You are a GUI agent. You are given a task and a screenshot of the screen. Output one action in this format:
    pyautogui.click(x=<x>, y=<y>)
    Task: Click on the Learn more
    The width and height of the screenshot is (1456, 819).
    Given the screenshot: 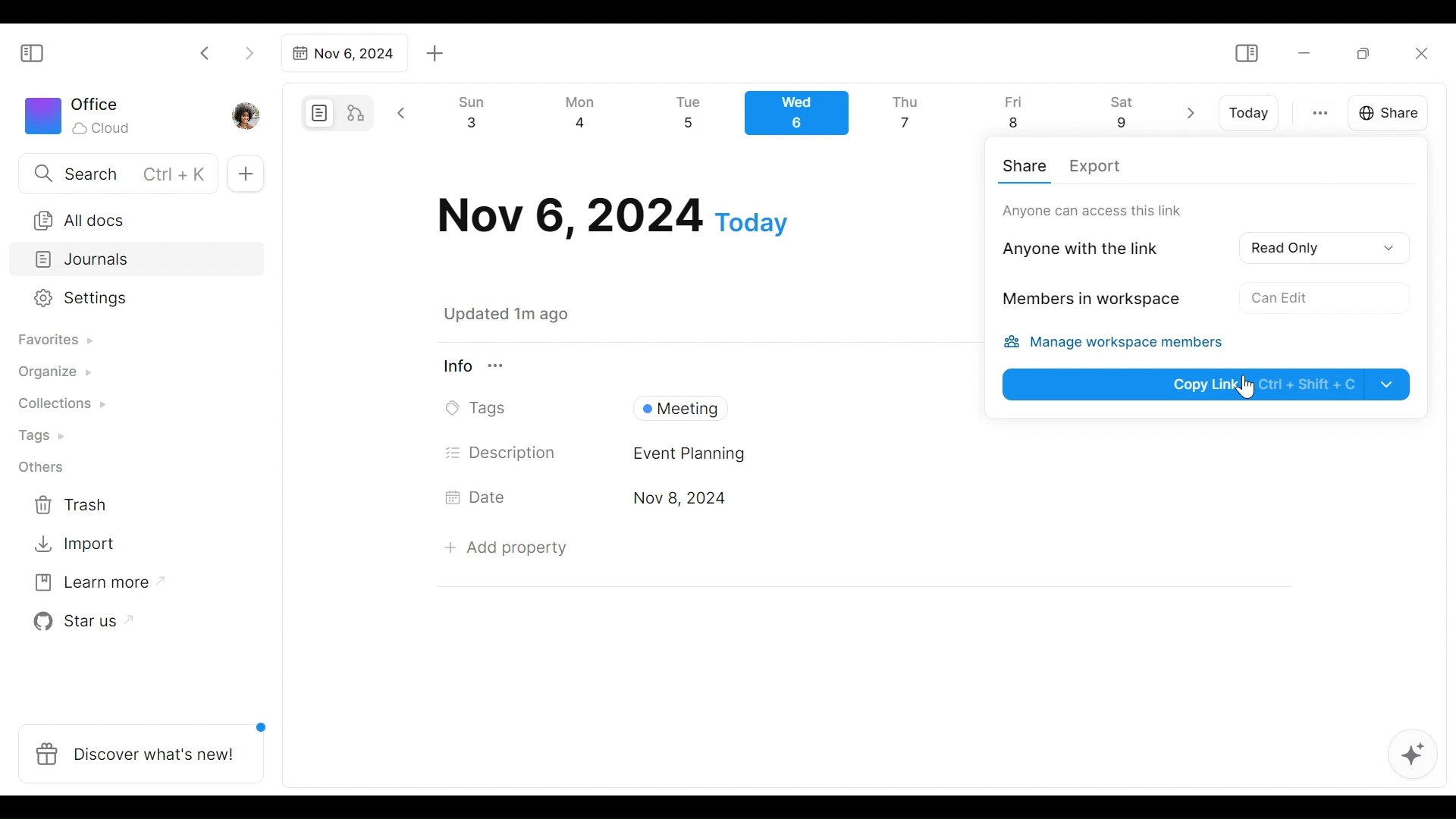 What is the action you would take?
    pyautogui.click(x=92, y=585)
    